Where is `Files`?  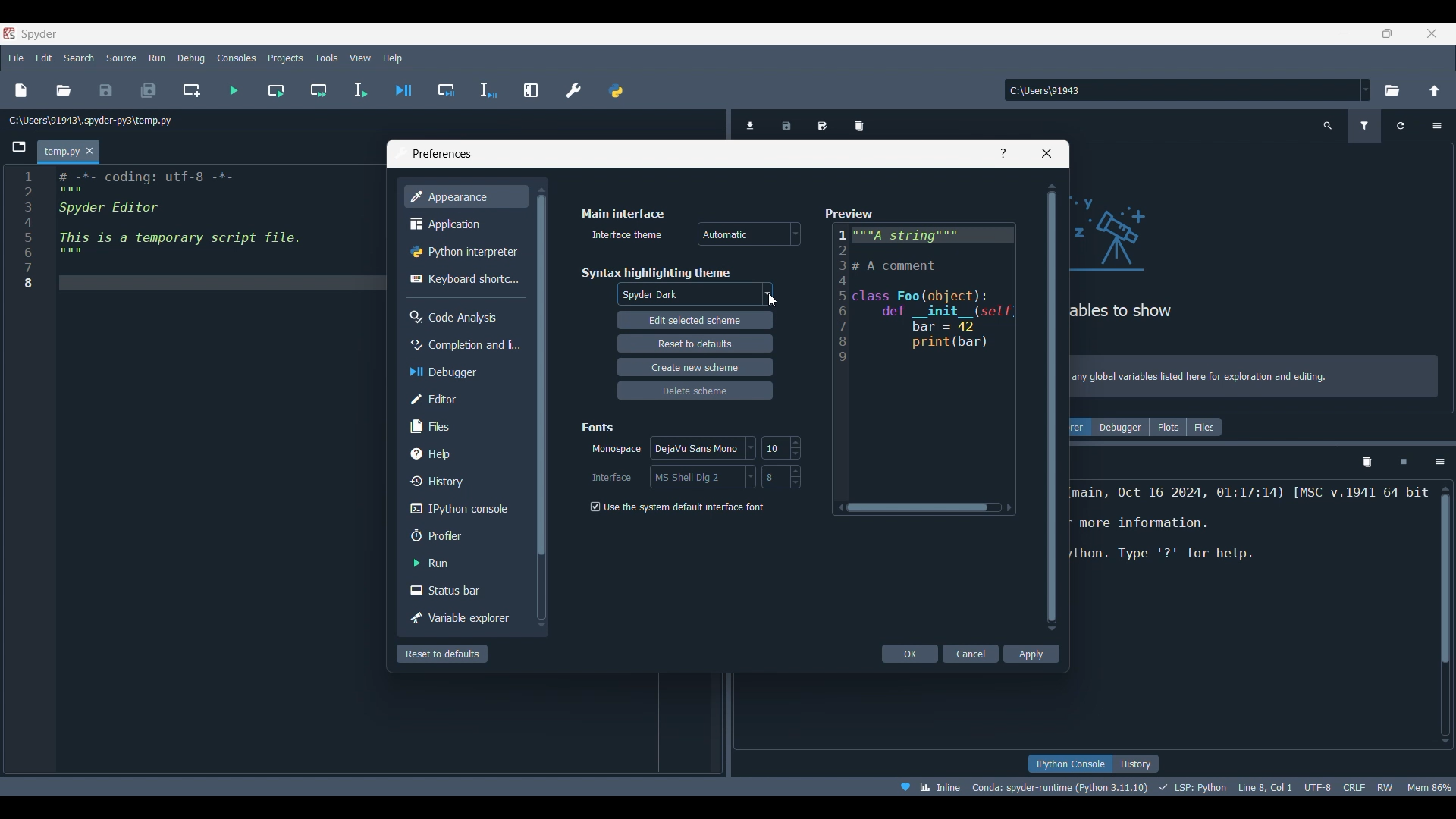
Files is located at coordinates (1205, 427).